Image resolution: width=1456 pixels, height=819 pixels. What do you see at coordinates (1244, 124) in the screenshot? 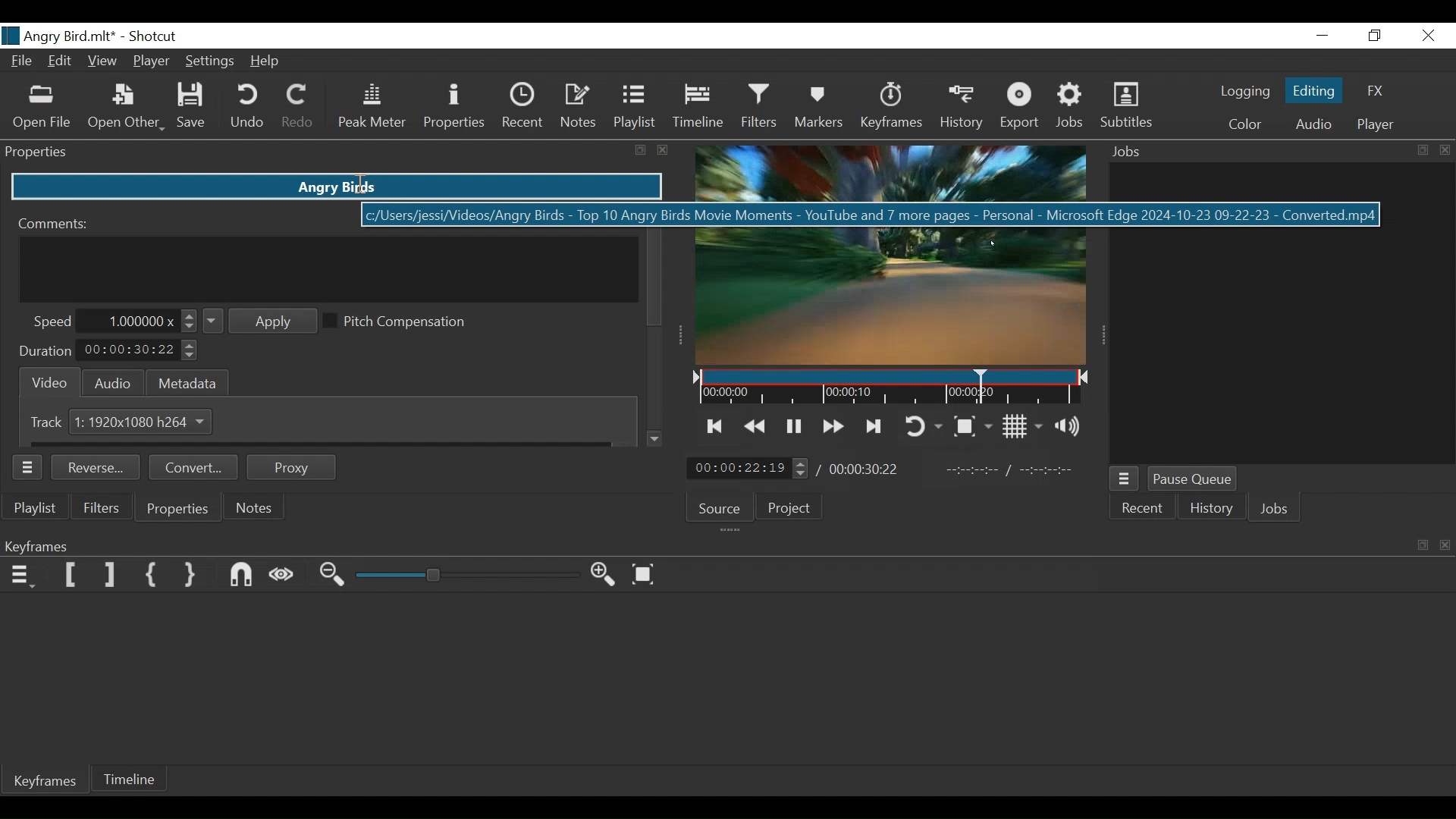
I see `Color` at bounding box center [1244, 124].